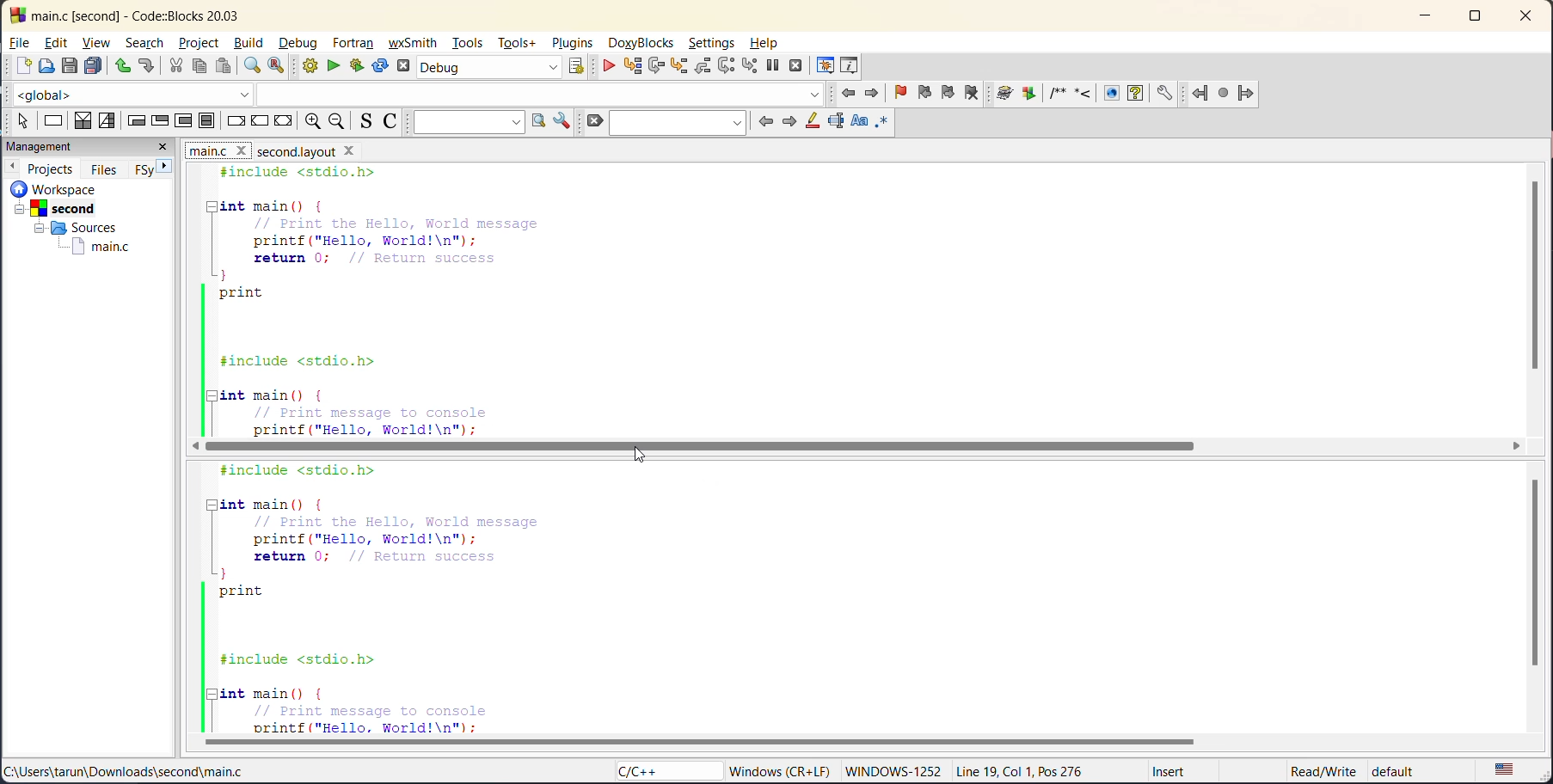  Describe the element at coordinates (321, 151) in the screenshot. I see `second layout` at that location.